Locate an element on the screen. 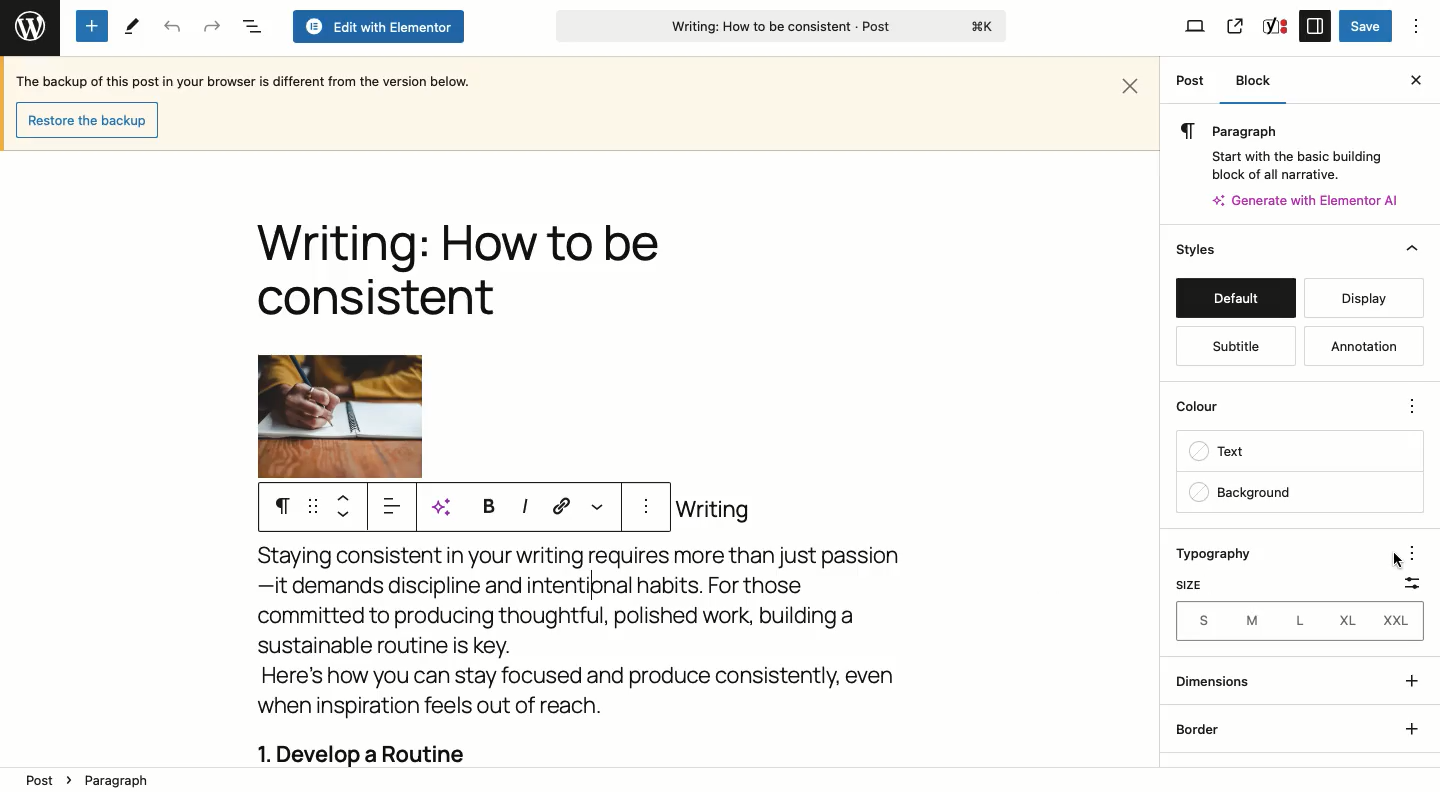  Title is located at coordinates (457, 274).